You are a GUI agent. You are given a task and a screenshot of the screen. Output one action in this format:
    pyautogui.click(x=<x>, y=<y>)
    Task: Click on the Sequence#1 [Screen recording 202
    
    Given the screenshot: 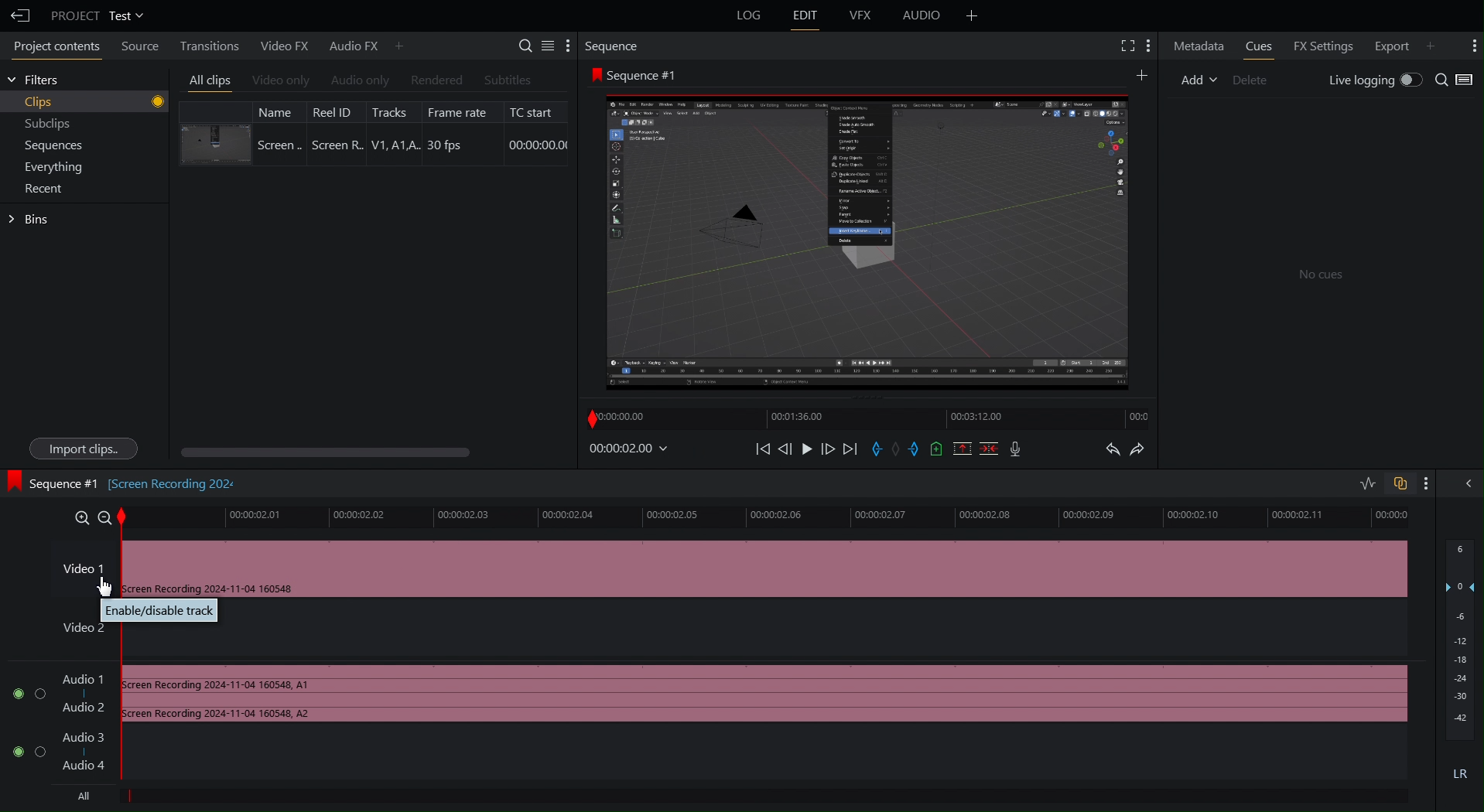 What is the action you would take?
    pyautogui.click(x=128, y=486)
    